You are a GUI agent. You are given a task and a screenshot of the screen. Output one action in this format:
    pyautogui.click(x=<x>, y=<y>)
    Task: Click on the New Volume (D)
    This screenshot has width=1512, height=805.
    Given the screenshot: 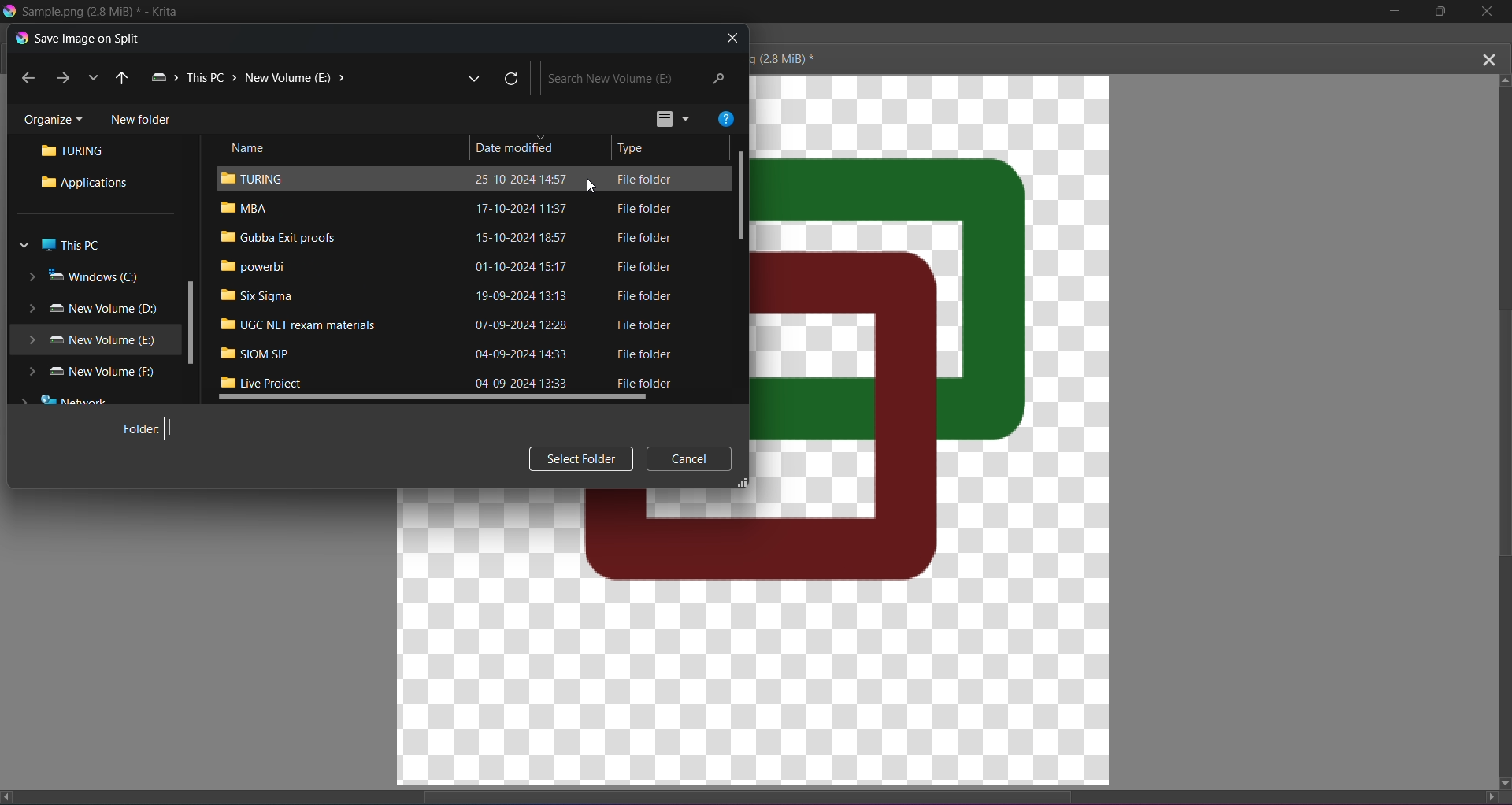 What is the action you would take?
    pyautogui.click(x=92, y=310)
    